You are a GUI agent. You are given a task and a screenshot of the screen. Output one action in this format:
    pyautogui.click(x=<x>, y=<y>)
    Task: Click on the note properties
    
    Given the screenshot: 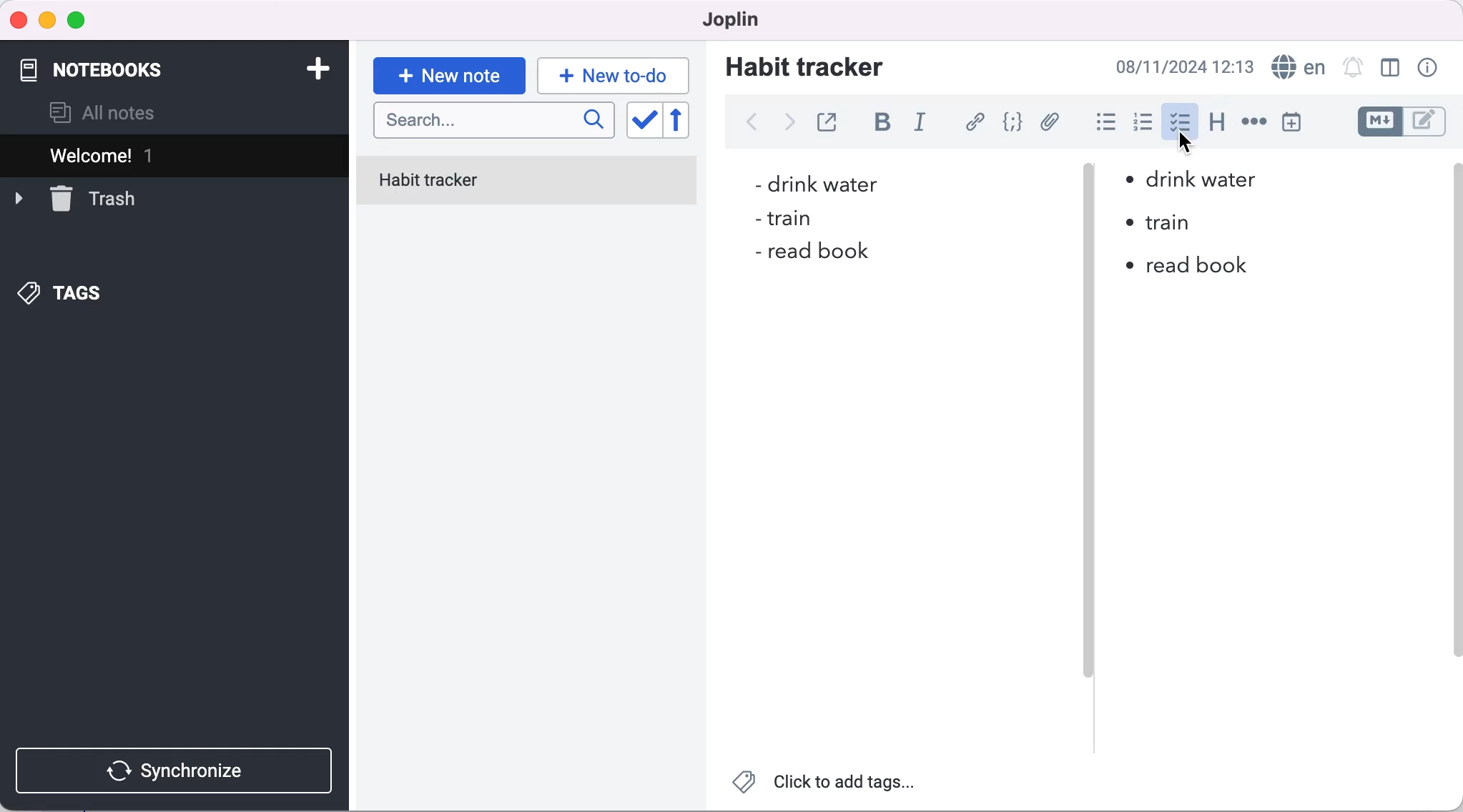 What is the action you would take?
    pyautogui.click(x=1429, y=68)
    